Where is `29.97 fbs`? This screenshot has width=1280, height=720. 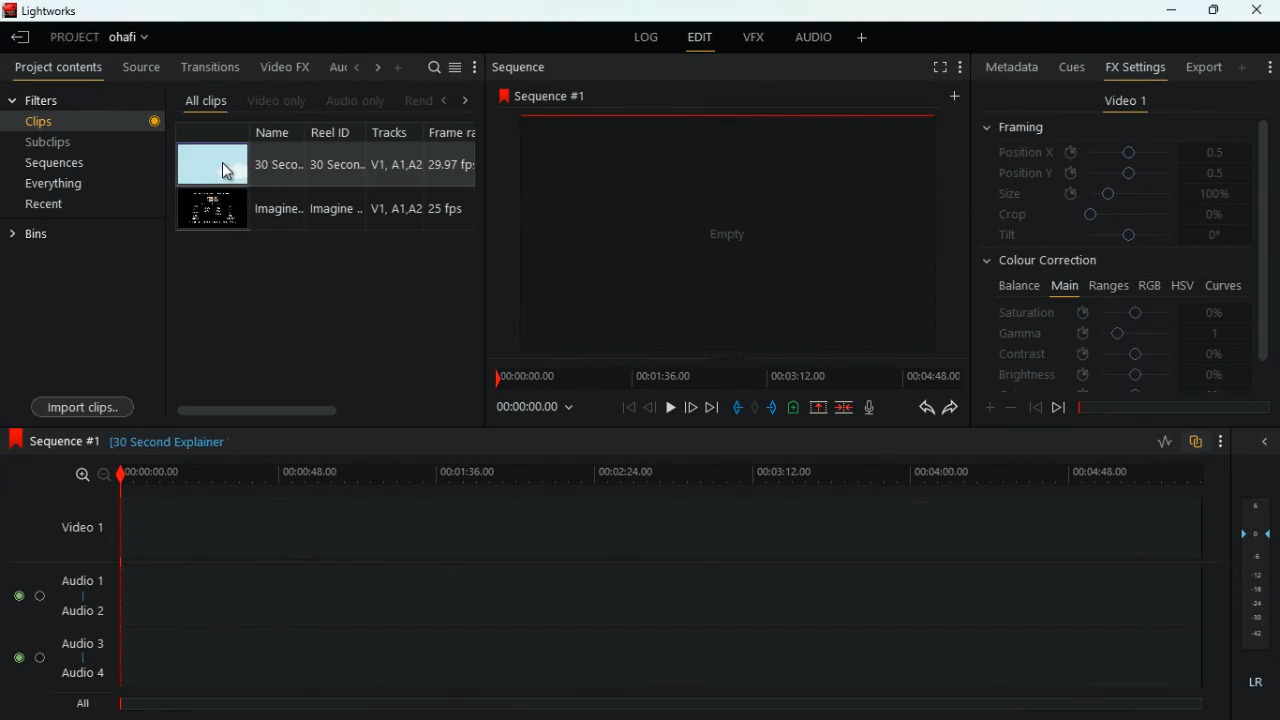 29.97 fbs is located at coordinates (454, 163).